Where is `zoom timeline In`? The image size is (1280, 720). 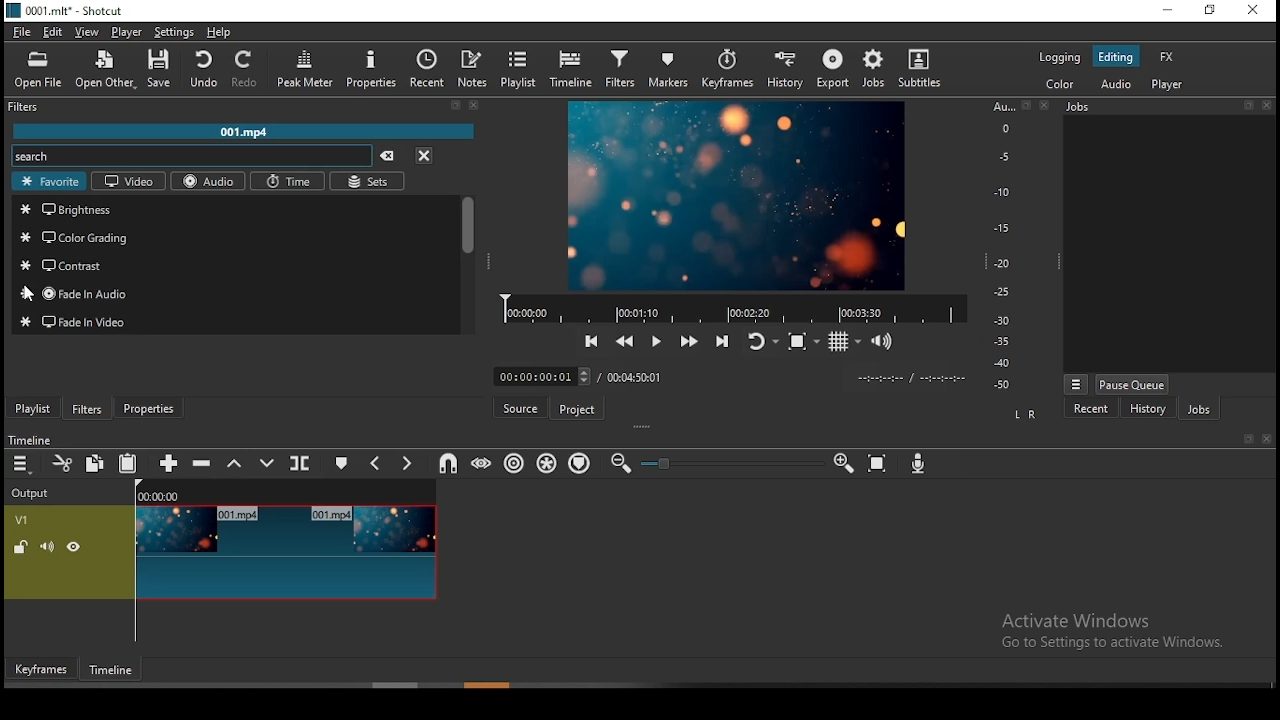 zoom timeline In is located at coordinates (841, 464).